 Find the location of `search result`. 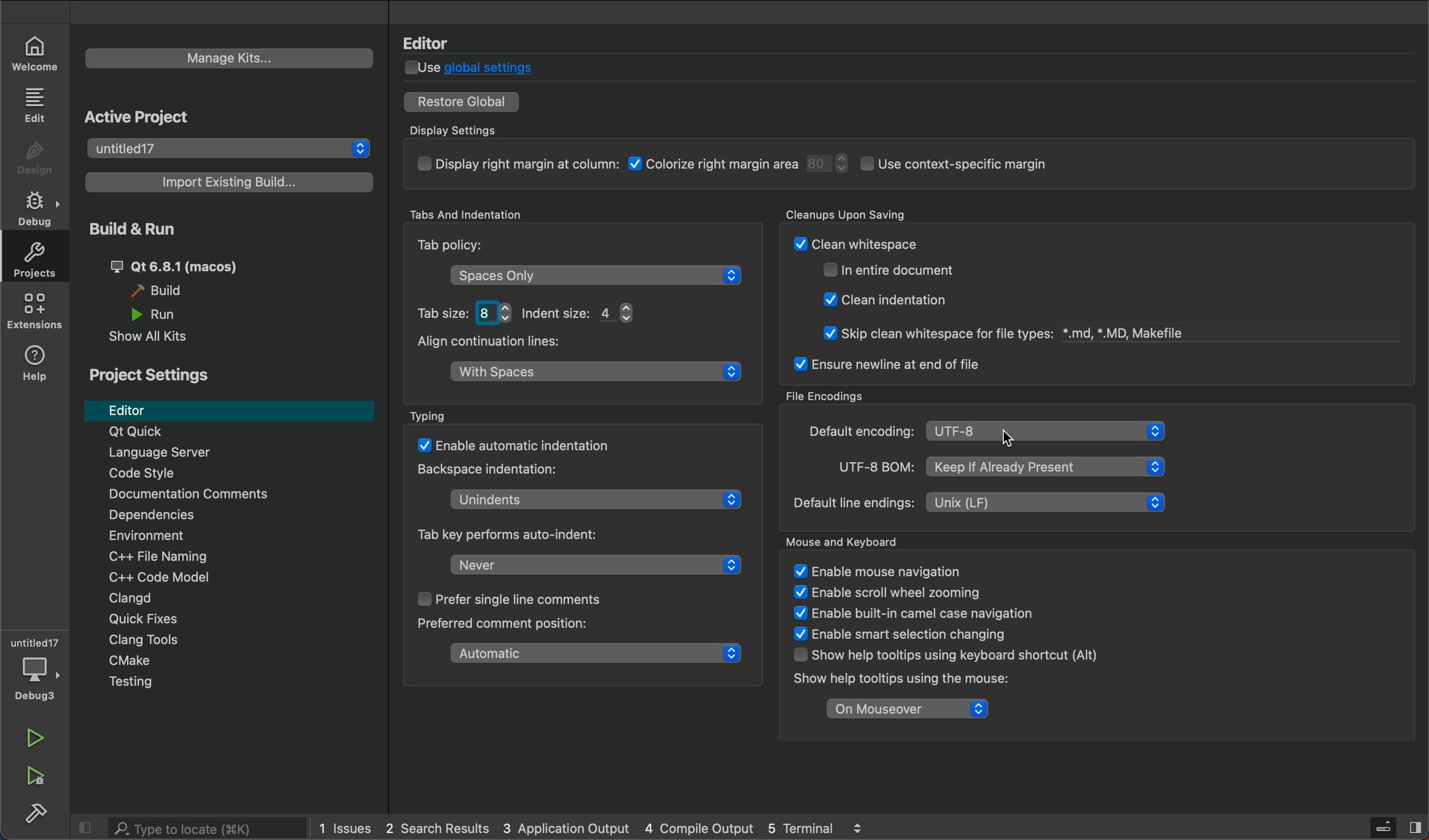

search result is located at coordinates (439, 826).